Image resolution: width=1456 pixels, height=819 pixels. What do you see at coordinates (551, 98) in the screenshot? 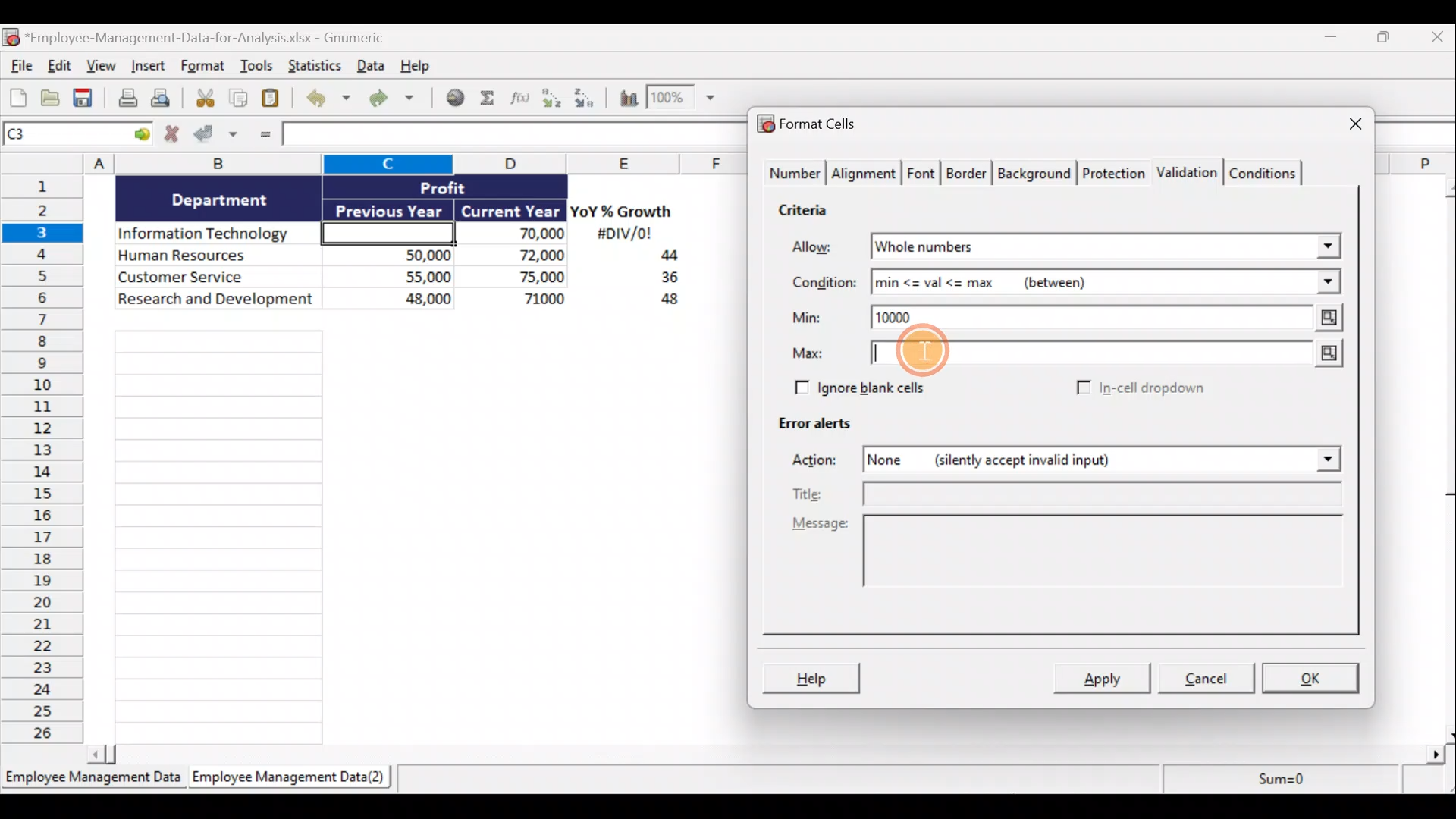
I see `Sort ascending` at bounding box center [551, 98].